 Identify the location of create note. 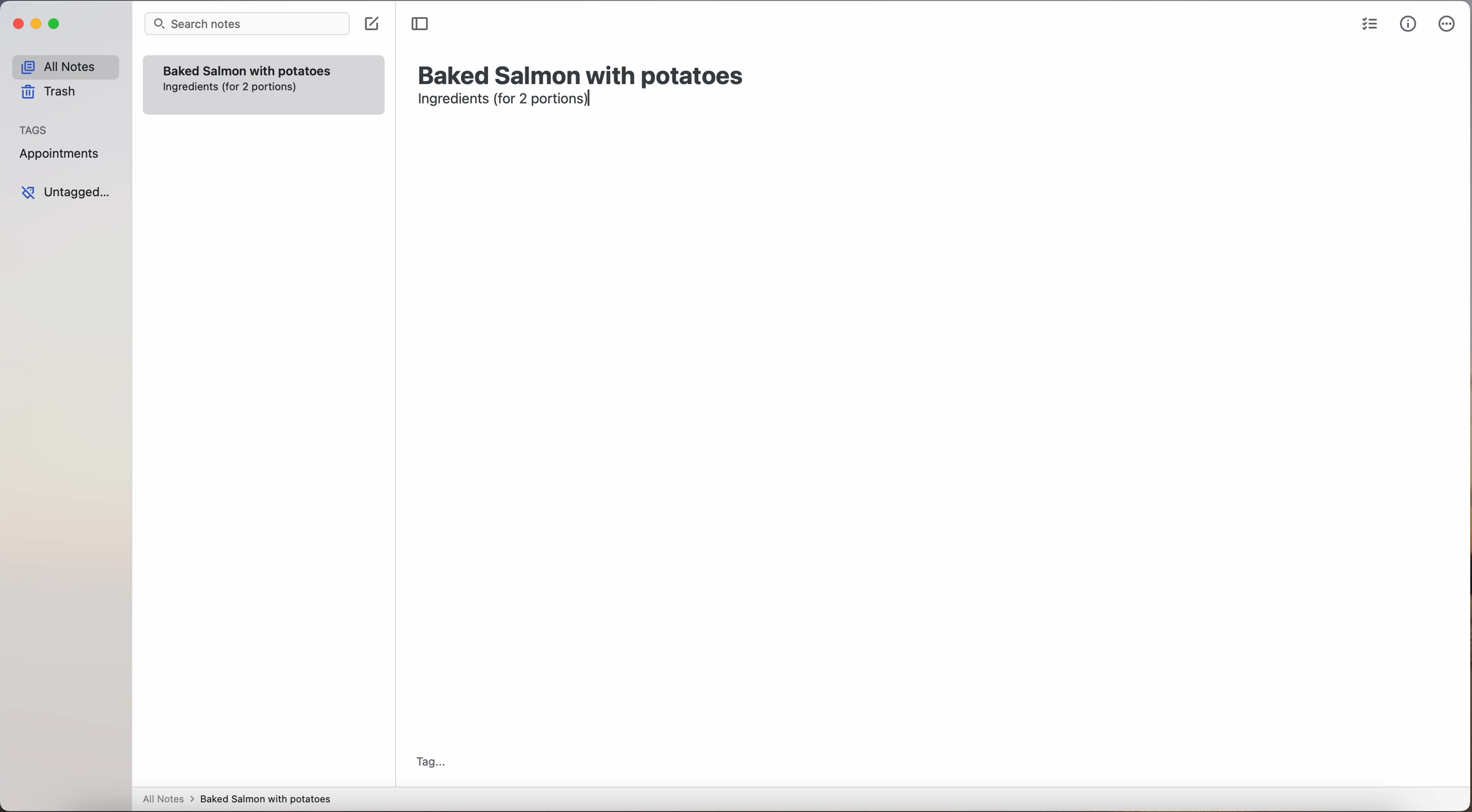
(371, 24).